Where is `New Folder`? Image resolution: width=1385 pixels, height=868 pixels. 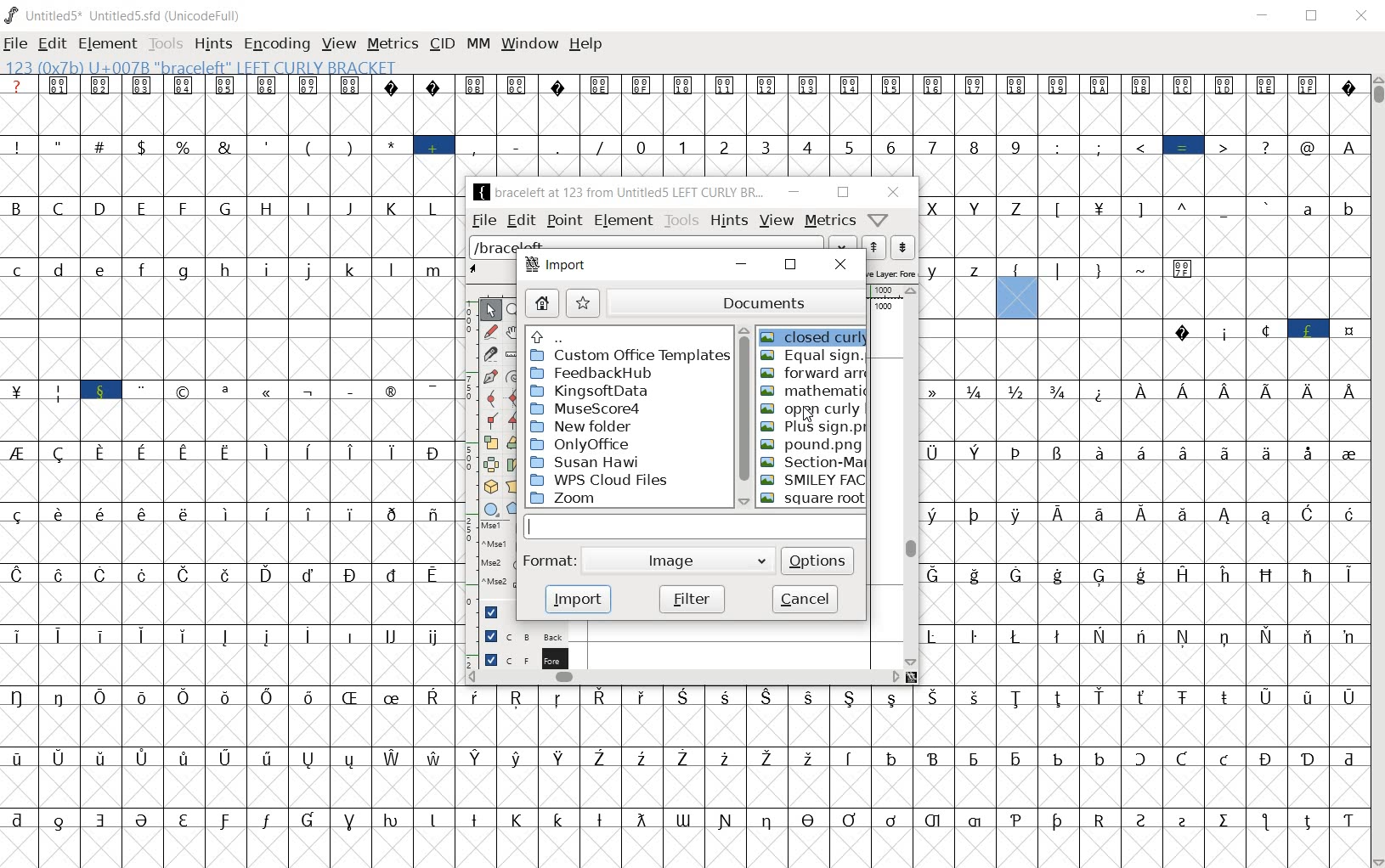
New Folder is located at coordinates (585, 426).